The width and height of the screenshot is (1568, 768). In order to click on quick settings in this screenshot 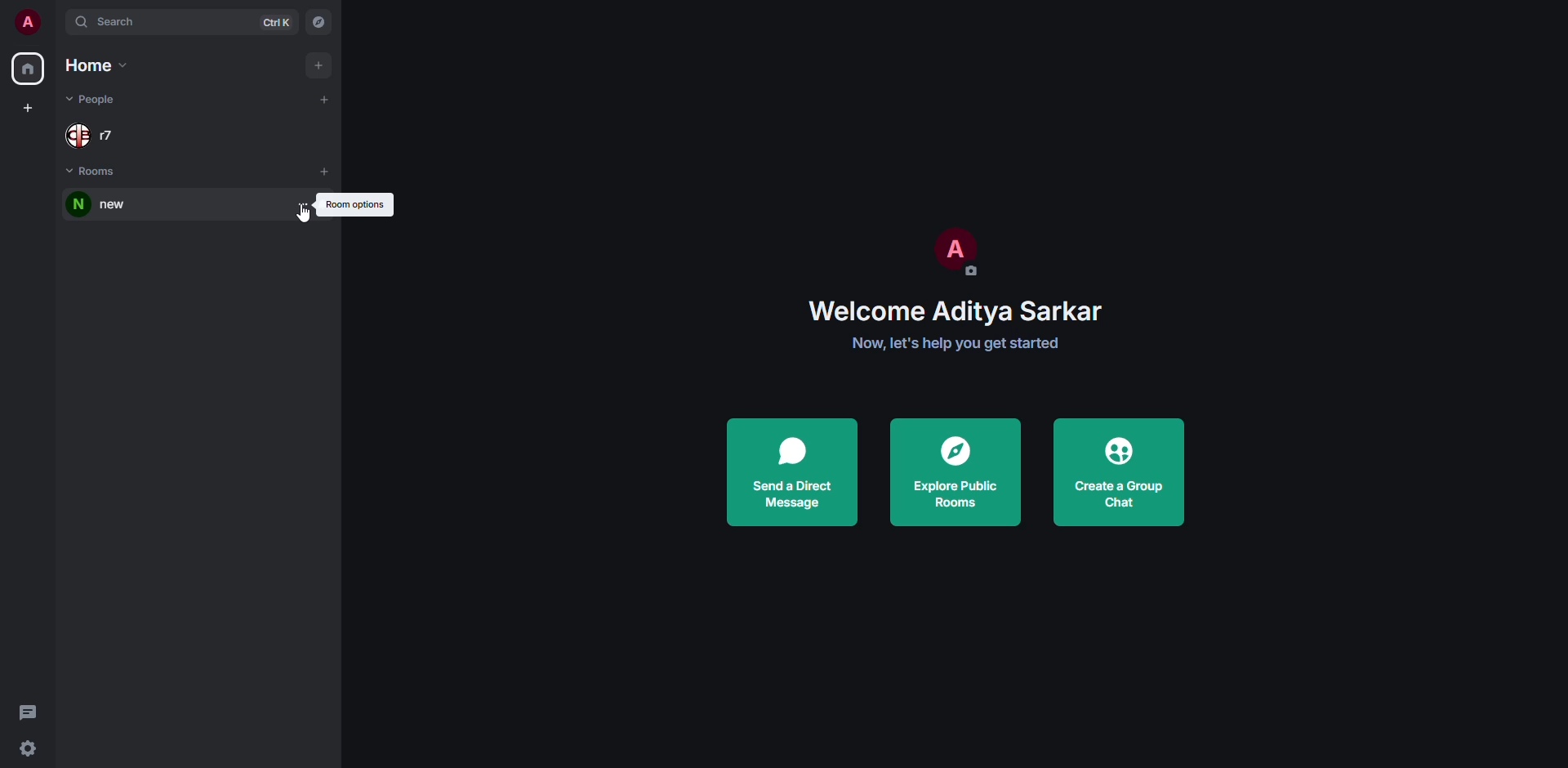, I will do `click(28, 750)`.